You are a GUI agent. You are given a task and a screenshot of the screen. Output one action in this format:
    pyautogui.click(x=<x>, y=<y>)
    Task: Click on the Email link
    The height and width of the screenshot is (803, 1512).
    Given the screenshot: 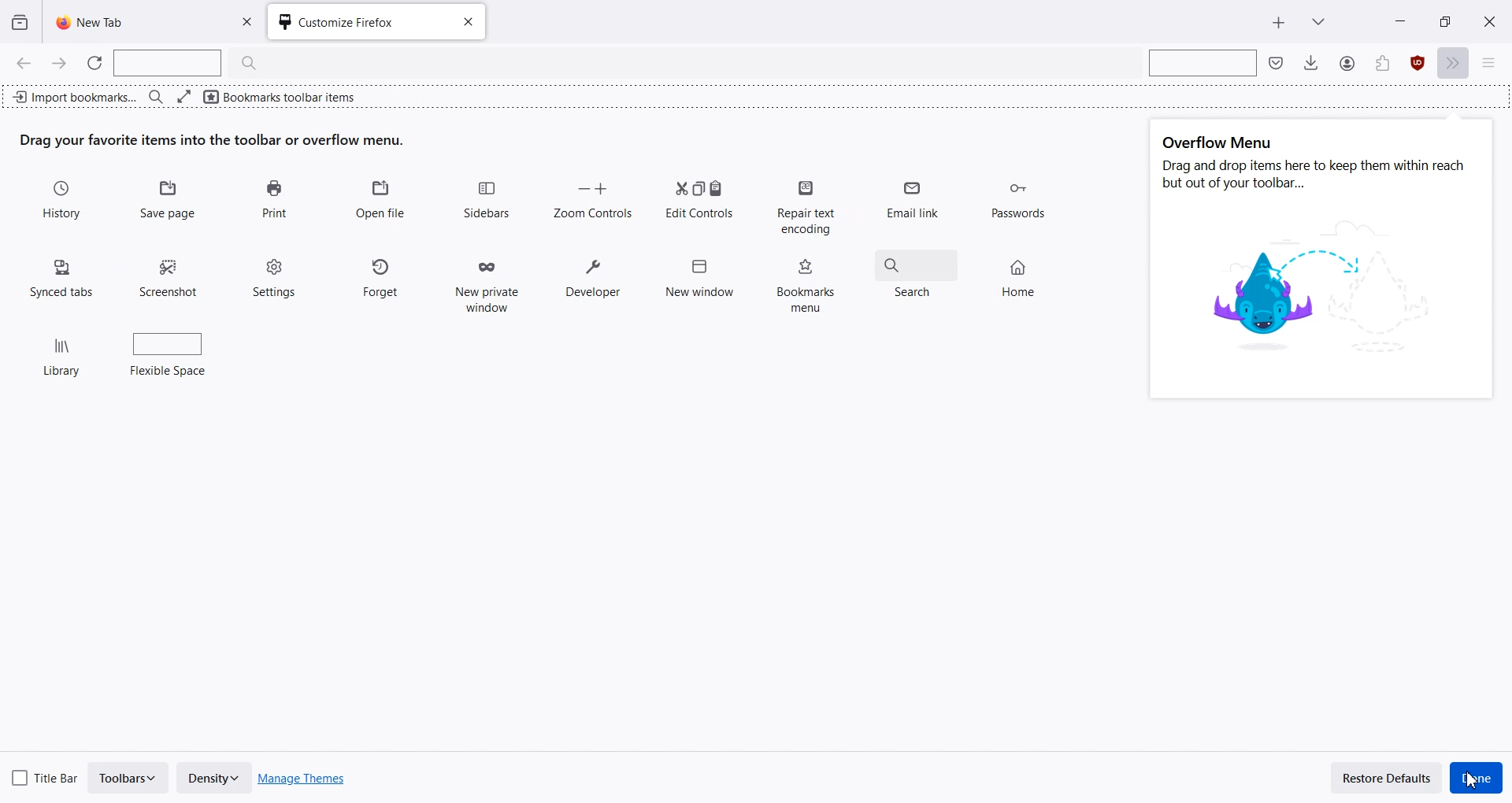 What is the action you would take?
    pyautogui.click(x=915, y=205)
    